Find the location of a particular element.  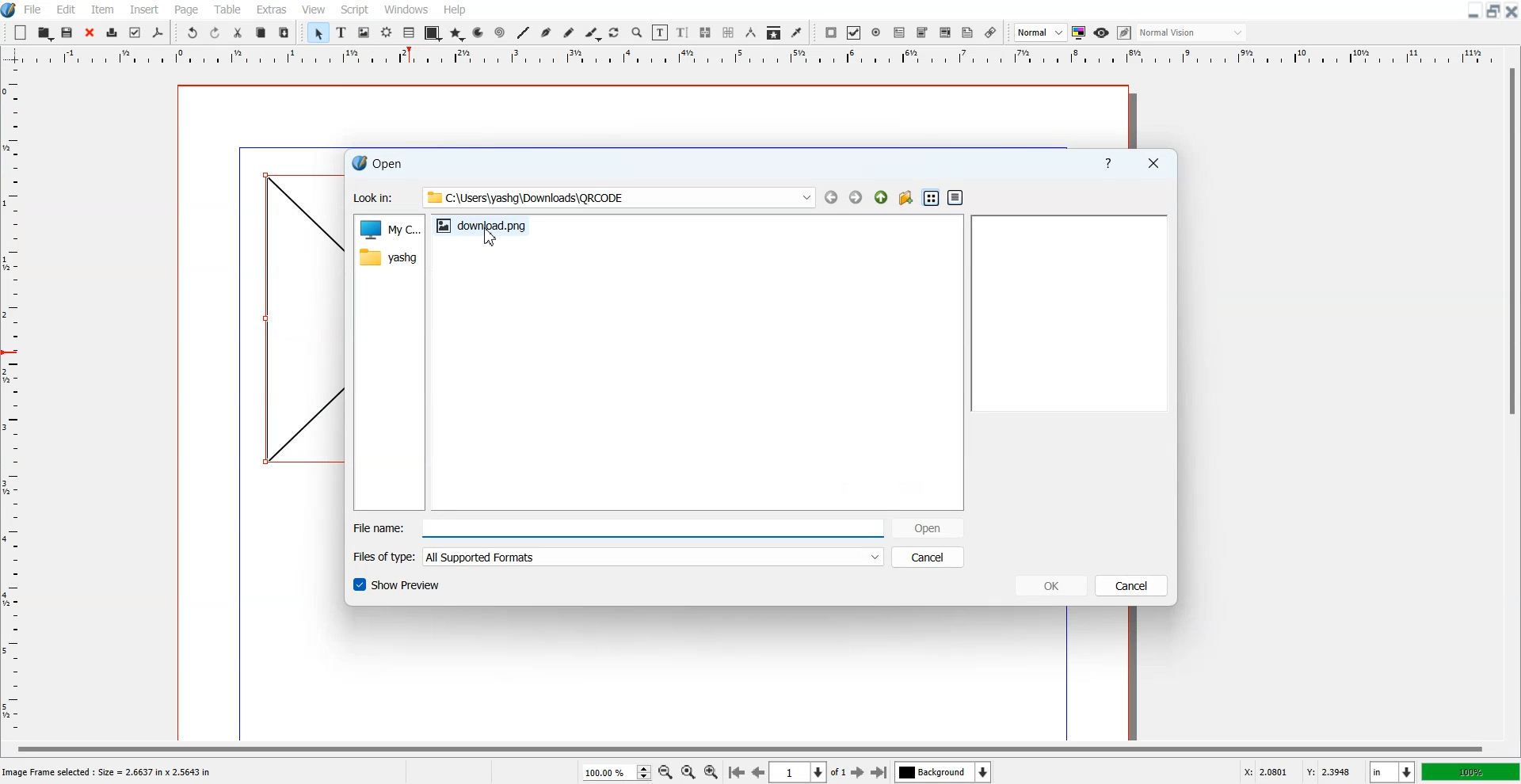

Text Frame is located at coordinates (341, 32).